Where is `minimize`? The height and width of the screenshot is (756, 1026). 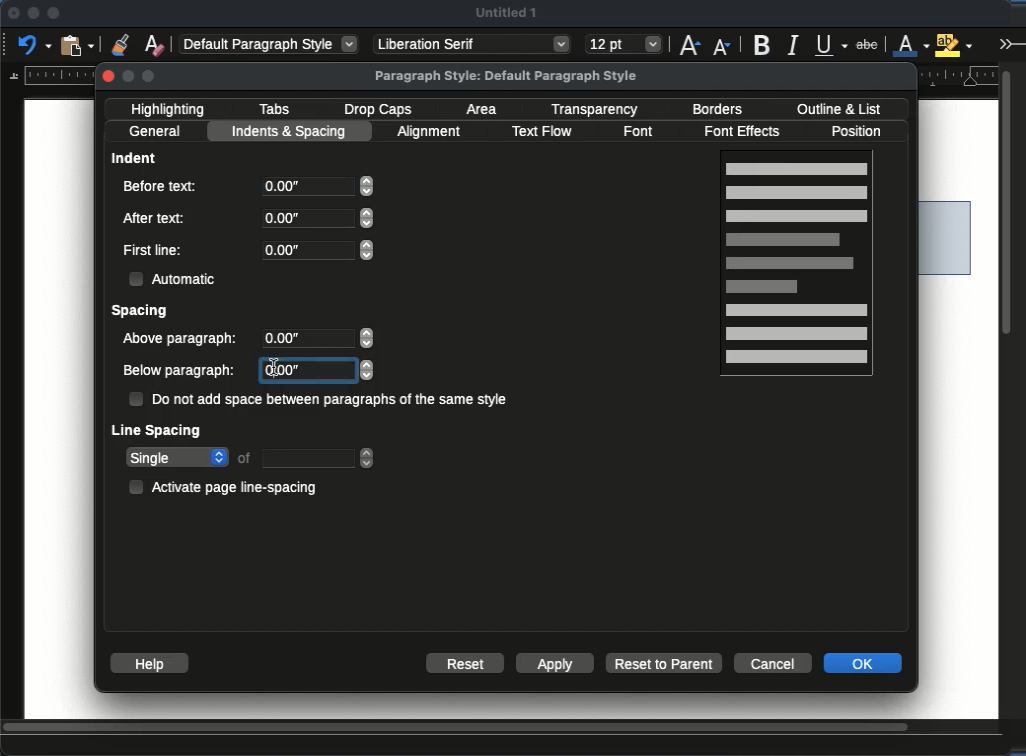 minimize is located at coordinates (33, 13).